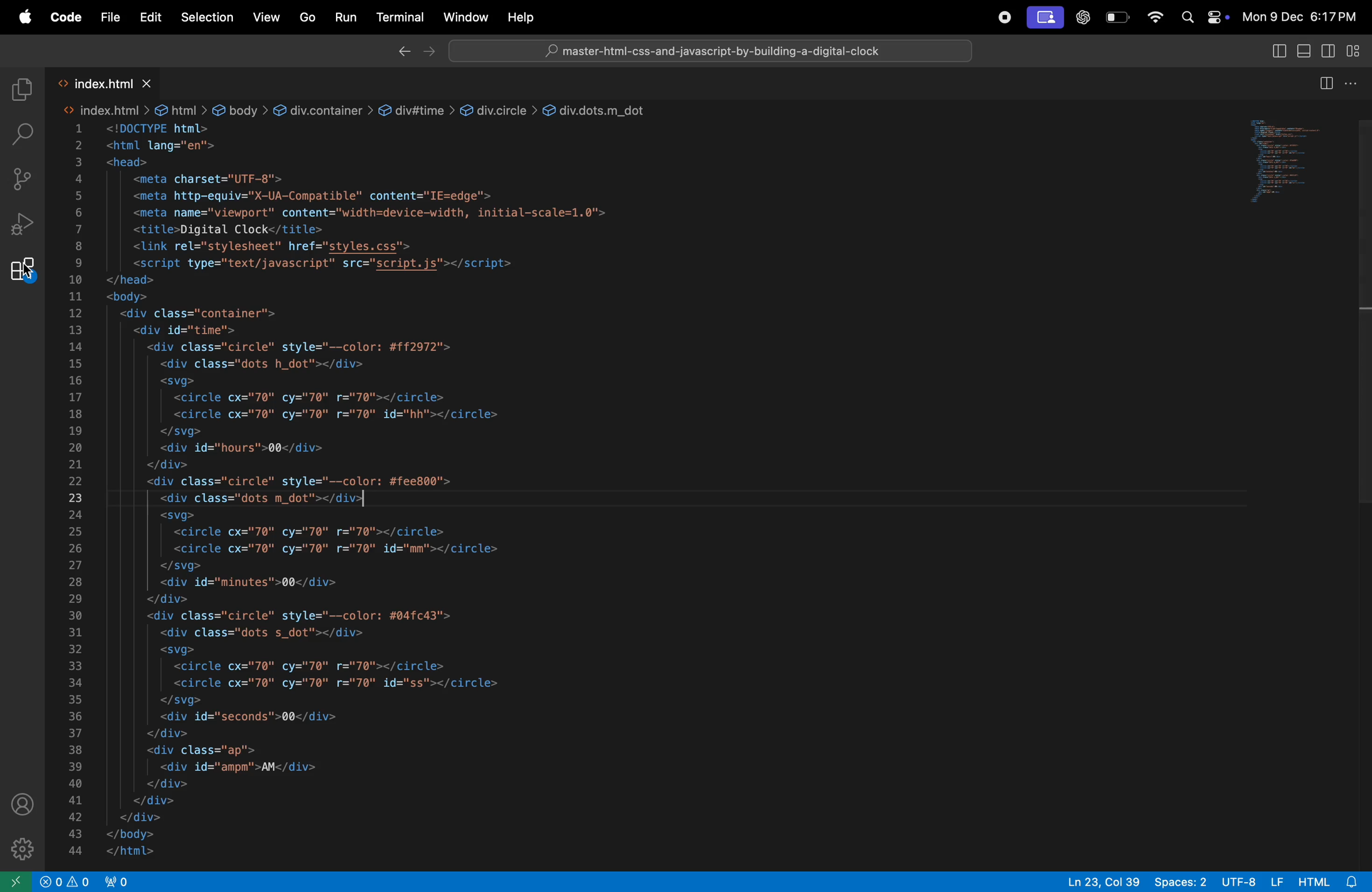  What do you see at coordinates (1332, 882) in the screenshot?
I see `Html alert` at bounding box center [1332, 882].